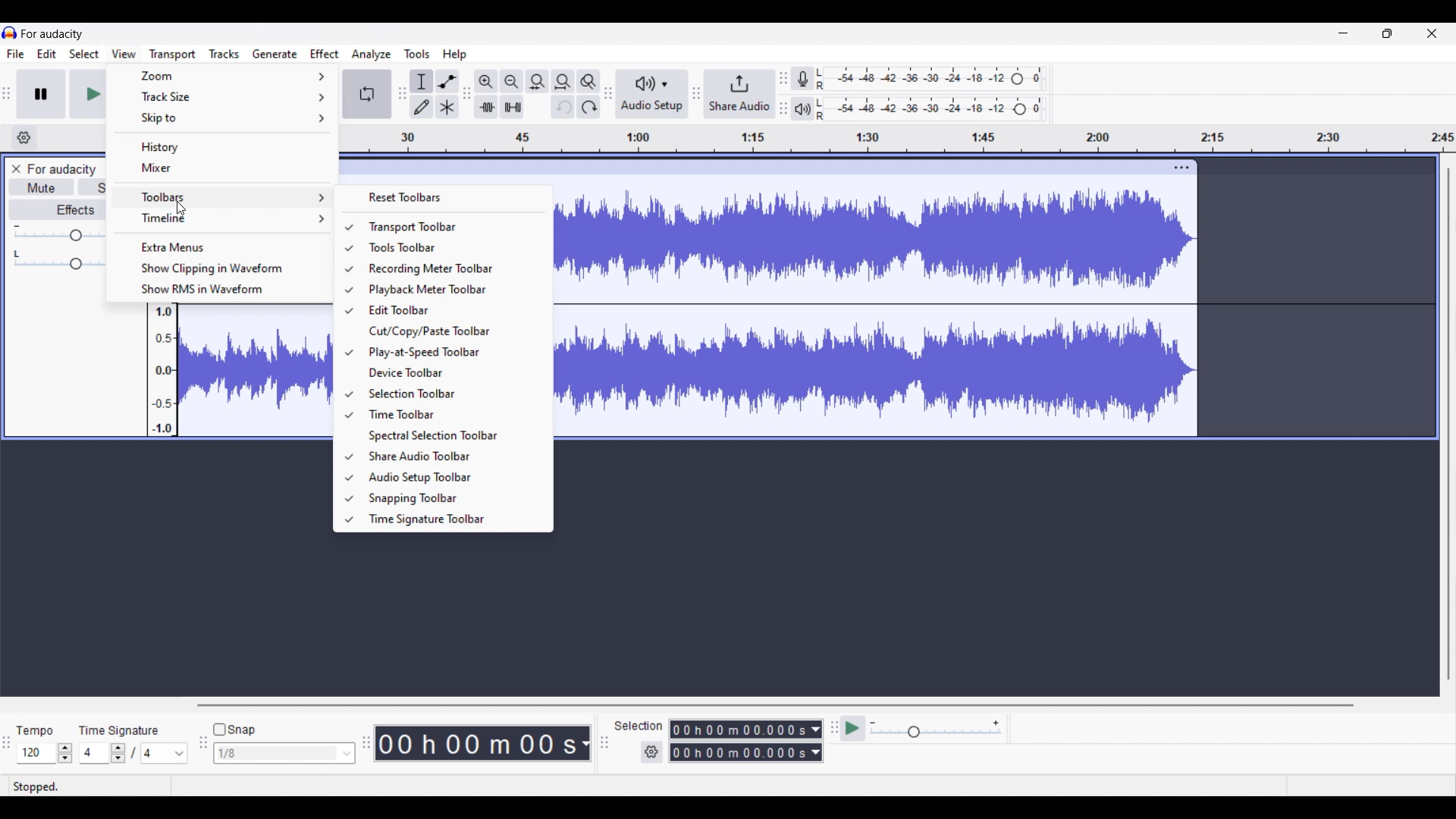  What do you see at coordinates (224, 96) in the screenshot?
I see `Track size options` at bounding box center [224, 96].